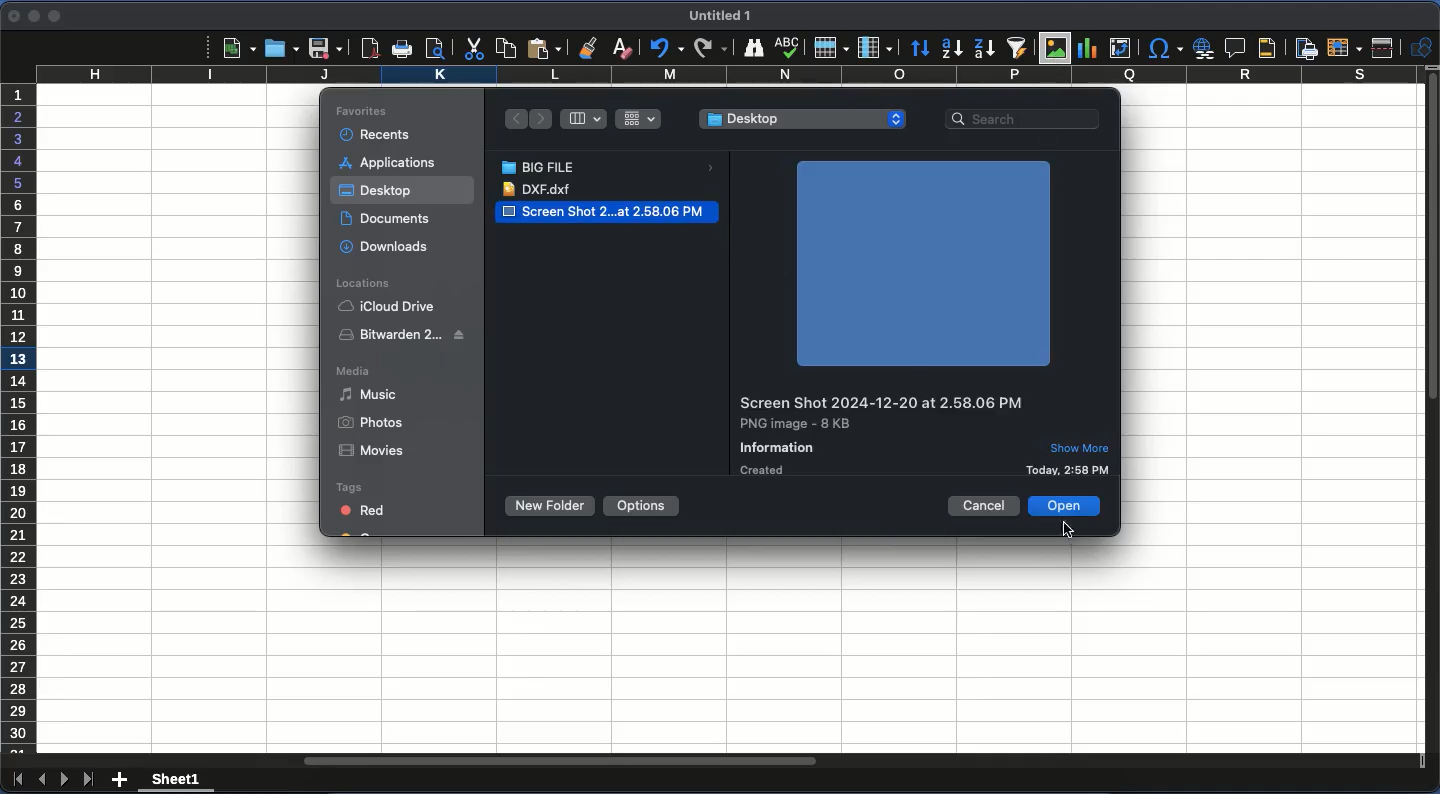 This screenshot has width=1440, height=794. What do you see at coordinates (122, 777) in the screenshot?
I see `add` at bounding box center [122, 777].